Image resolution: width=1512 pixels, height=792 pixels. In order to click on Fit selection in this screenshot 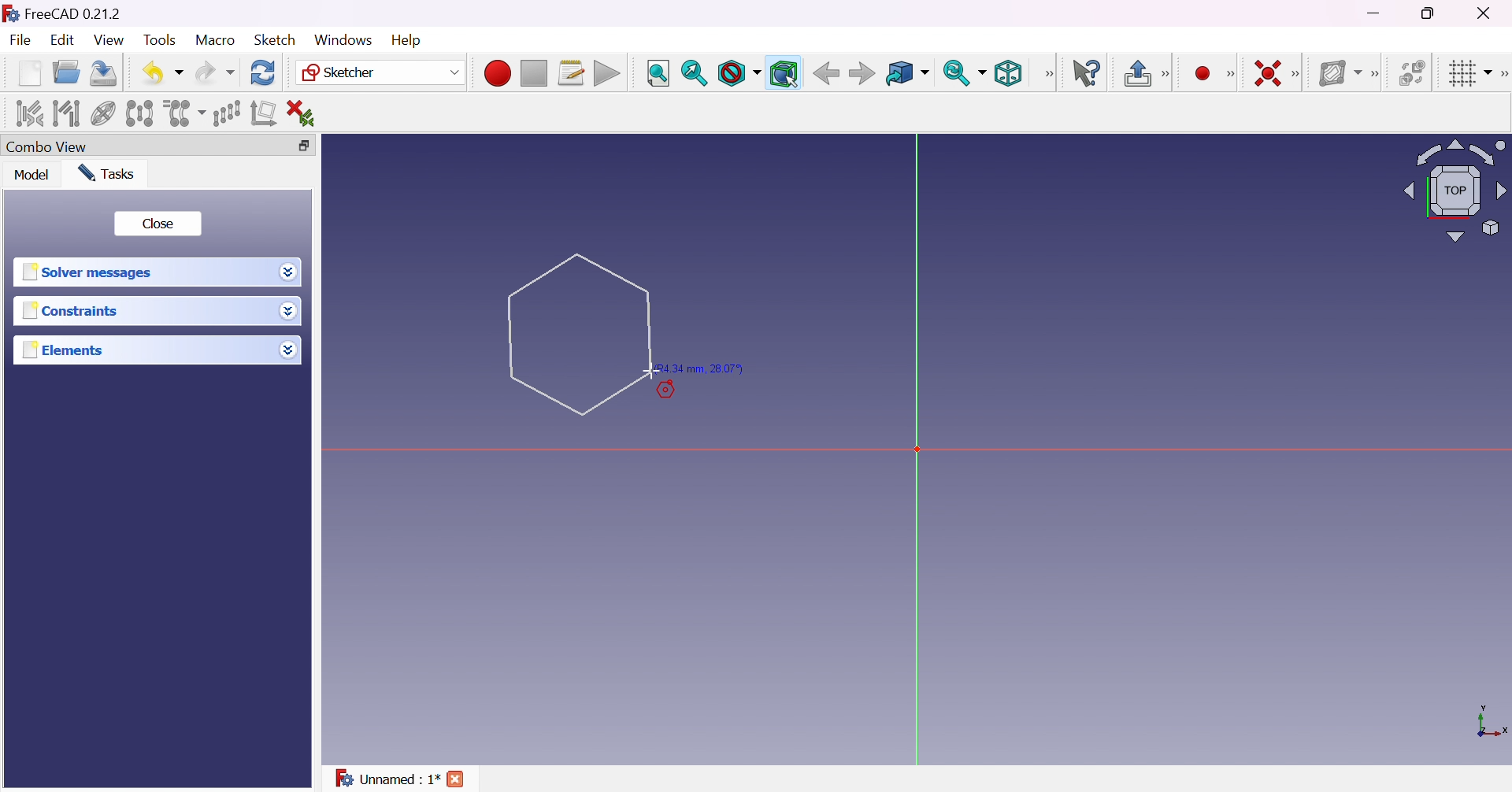, I will do `click(695, 73)`.